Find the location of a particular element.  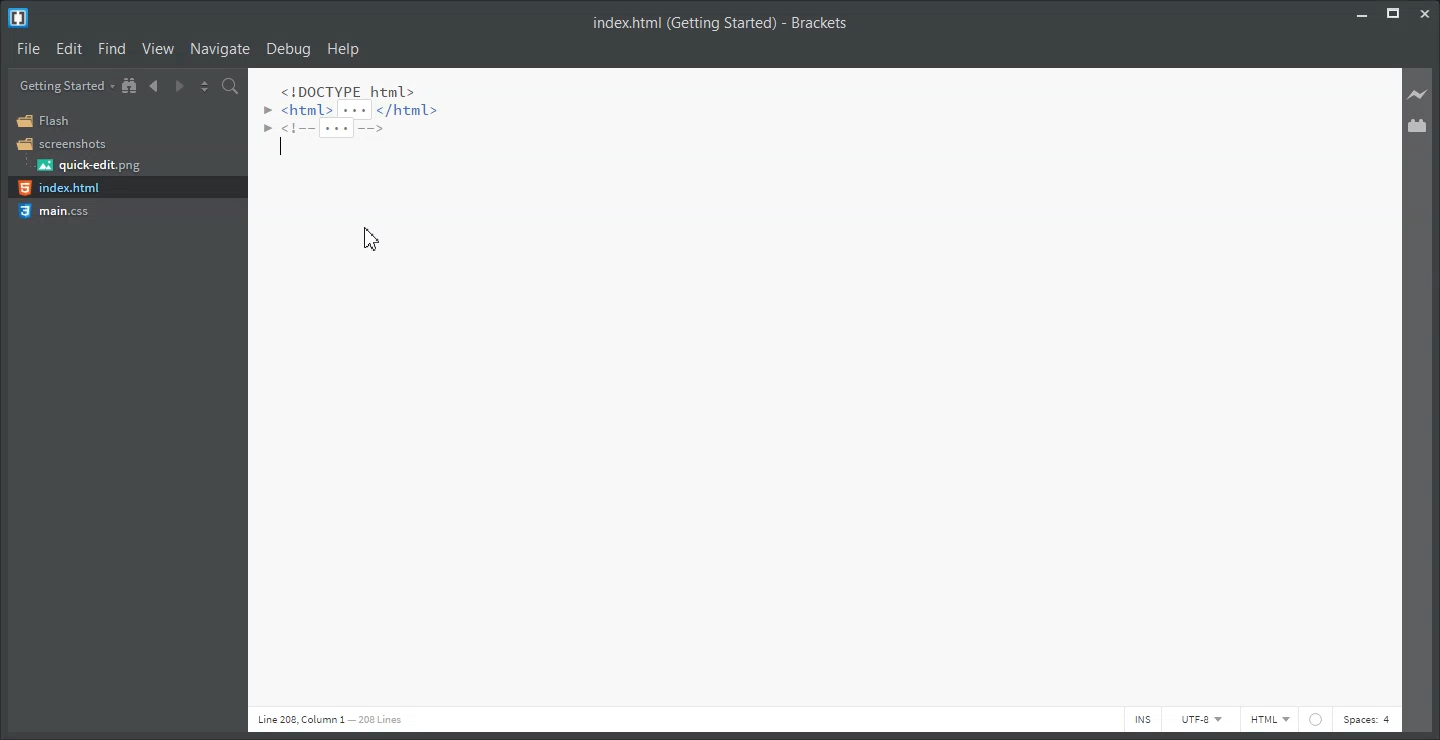

Navigate Backward is located at coordinates (155, 86).